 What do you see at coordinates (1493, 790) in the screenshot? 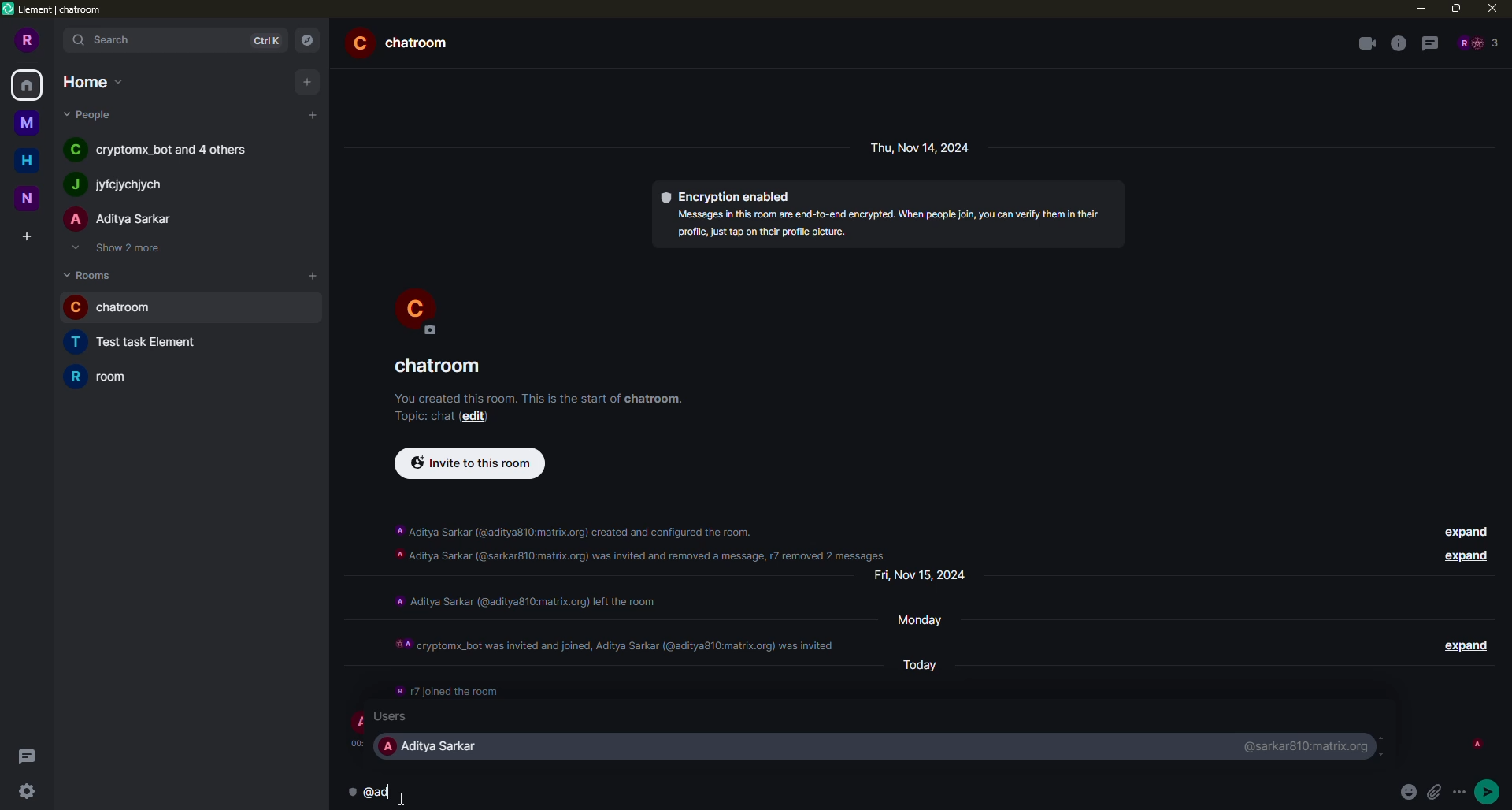
I see `send` at bounding box center [1493, 790].